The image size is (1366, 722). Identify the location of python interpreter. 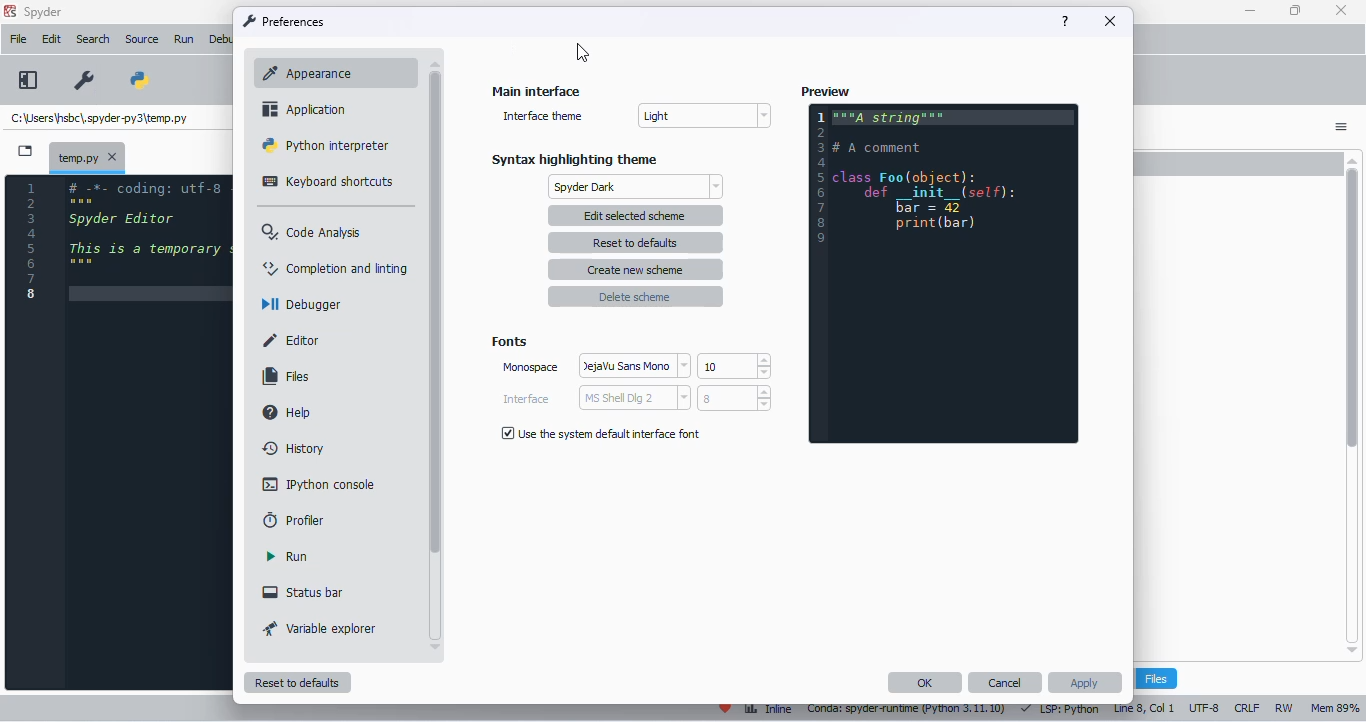
(325, 145).